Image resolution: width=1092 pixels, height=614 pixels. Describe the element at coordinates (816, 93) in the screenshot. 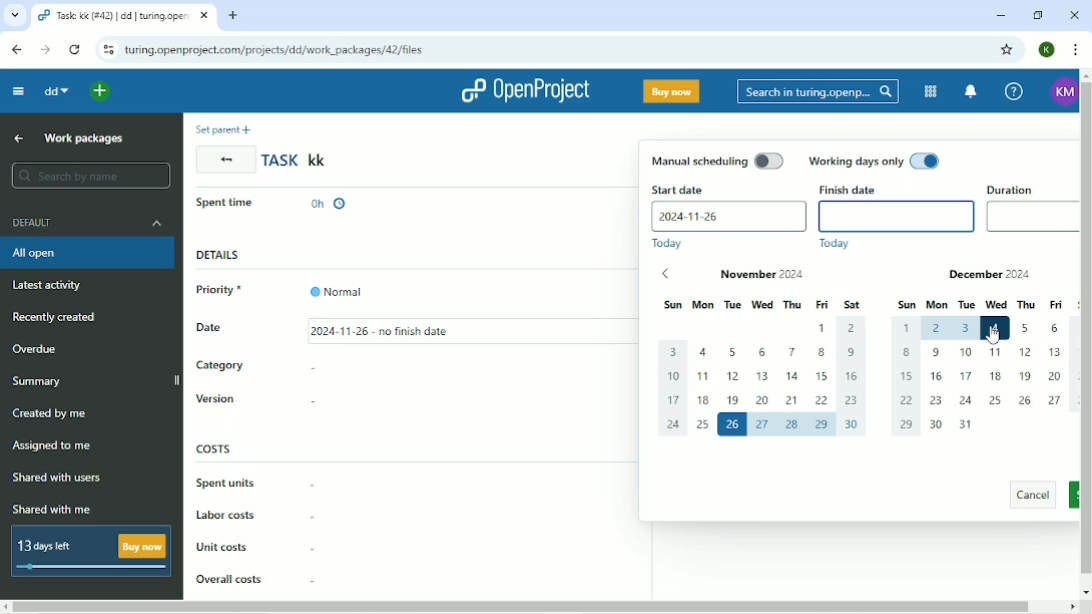

I see `Search in turing.openprojects.com` at that location.